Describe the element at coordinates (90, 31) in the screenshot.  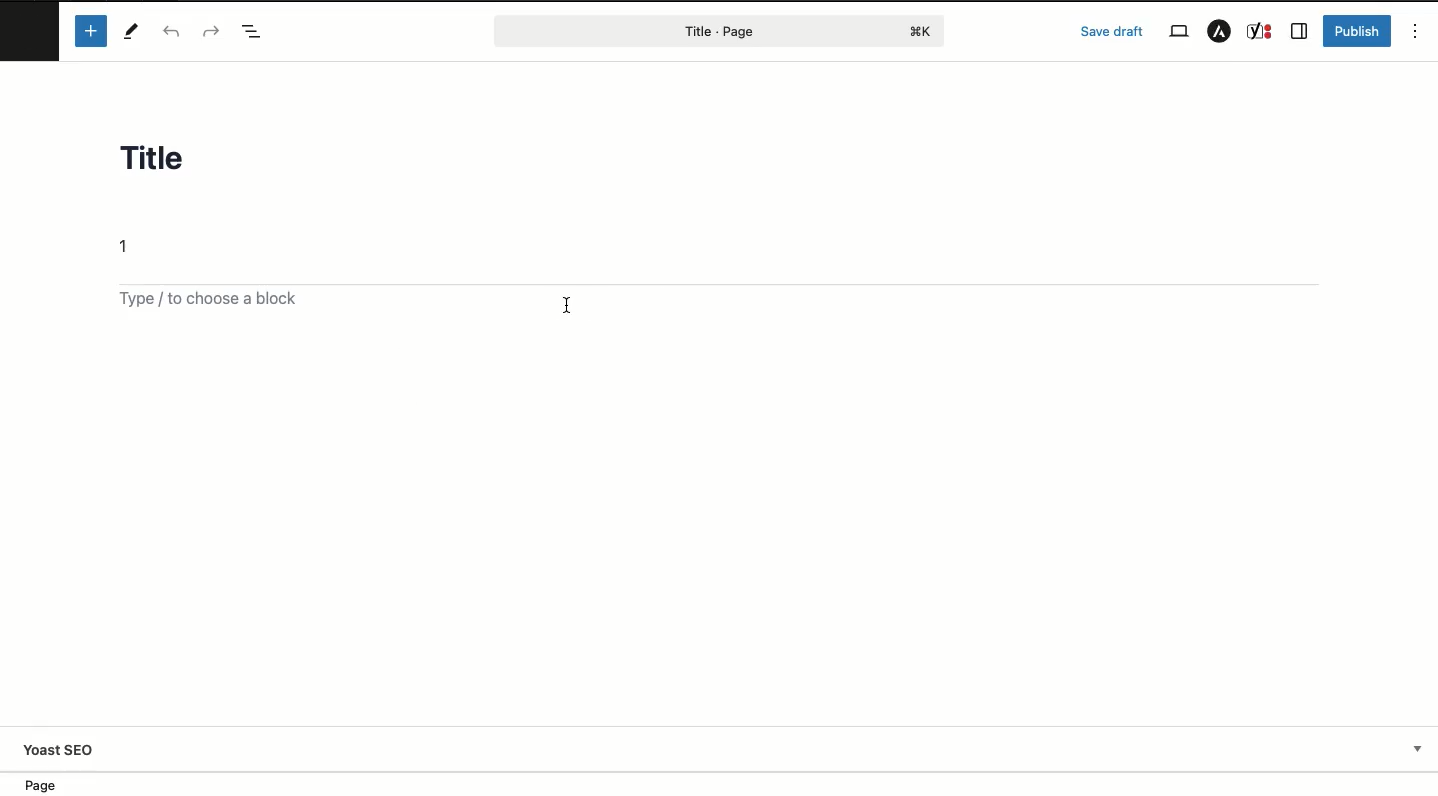
I see `Add block` at that location.